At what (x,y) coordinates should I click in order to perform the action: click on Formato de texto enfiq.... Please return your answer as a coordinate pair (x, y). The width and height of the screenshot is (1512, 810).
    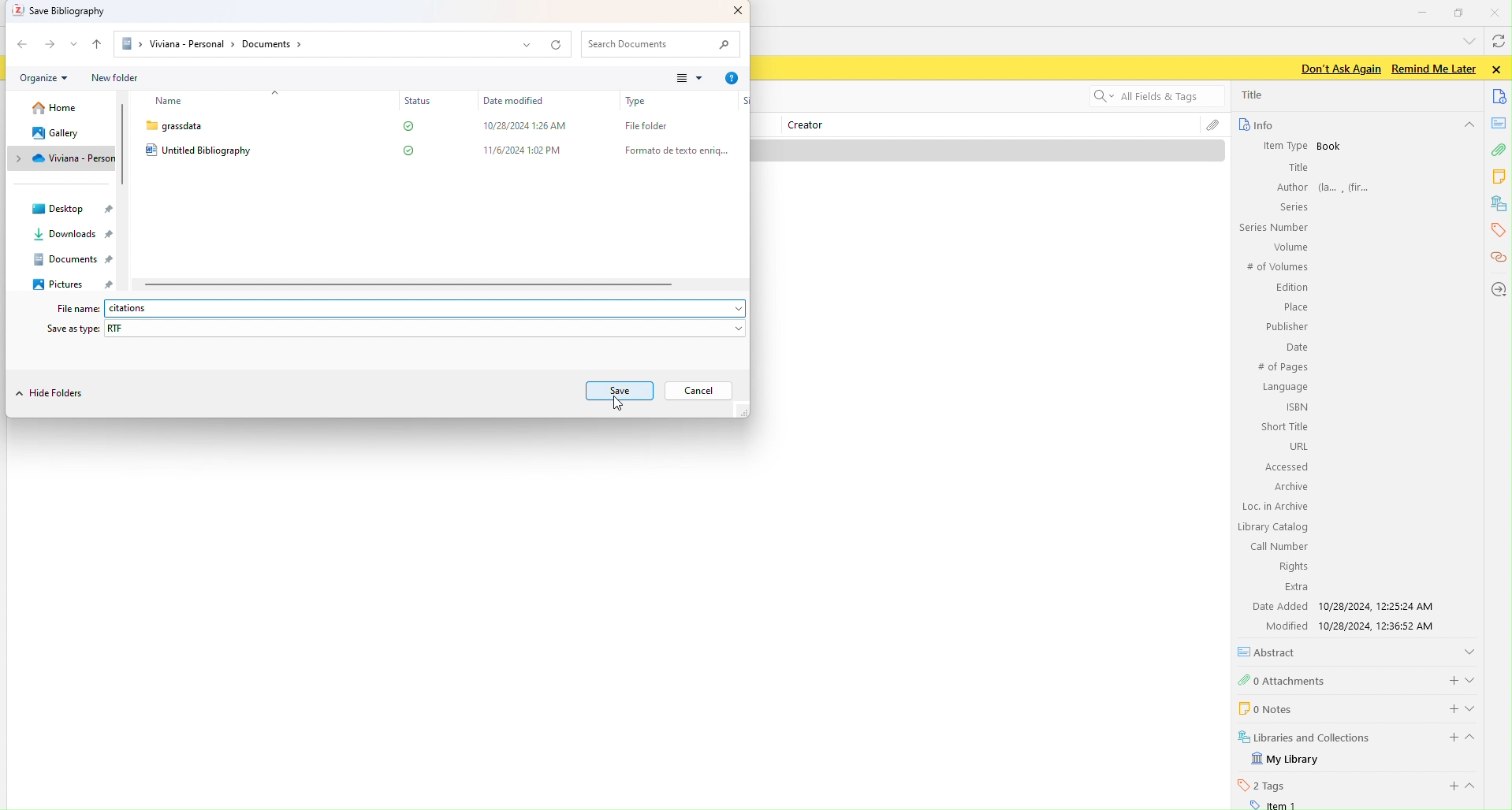
    Looking at the image, I should click on (672, 150).